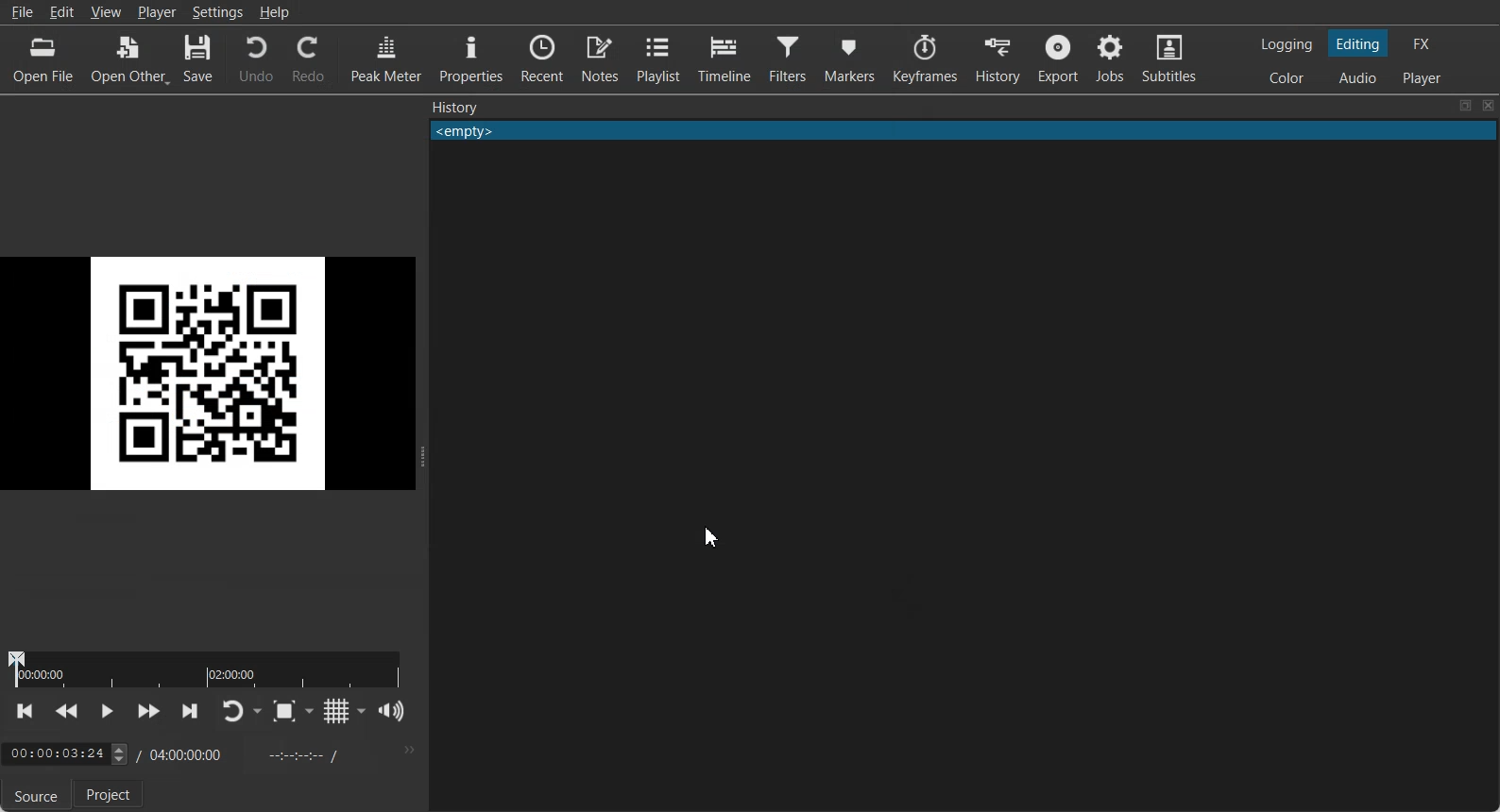  Describe the element at coordinates (212, 670) in the screenshot. I see `duration` at that location.